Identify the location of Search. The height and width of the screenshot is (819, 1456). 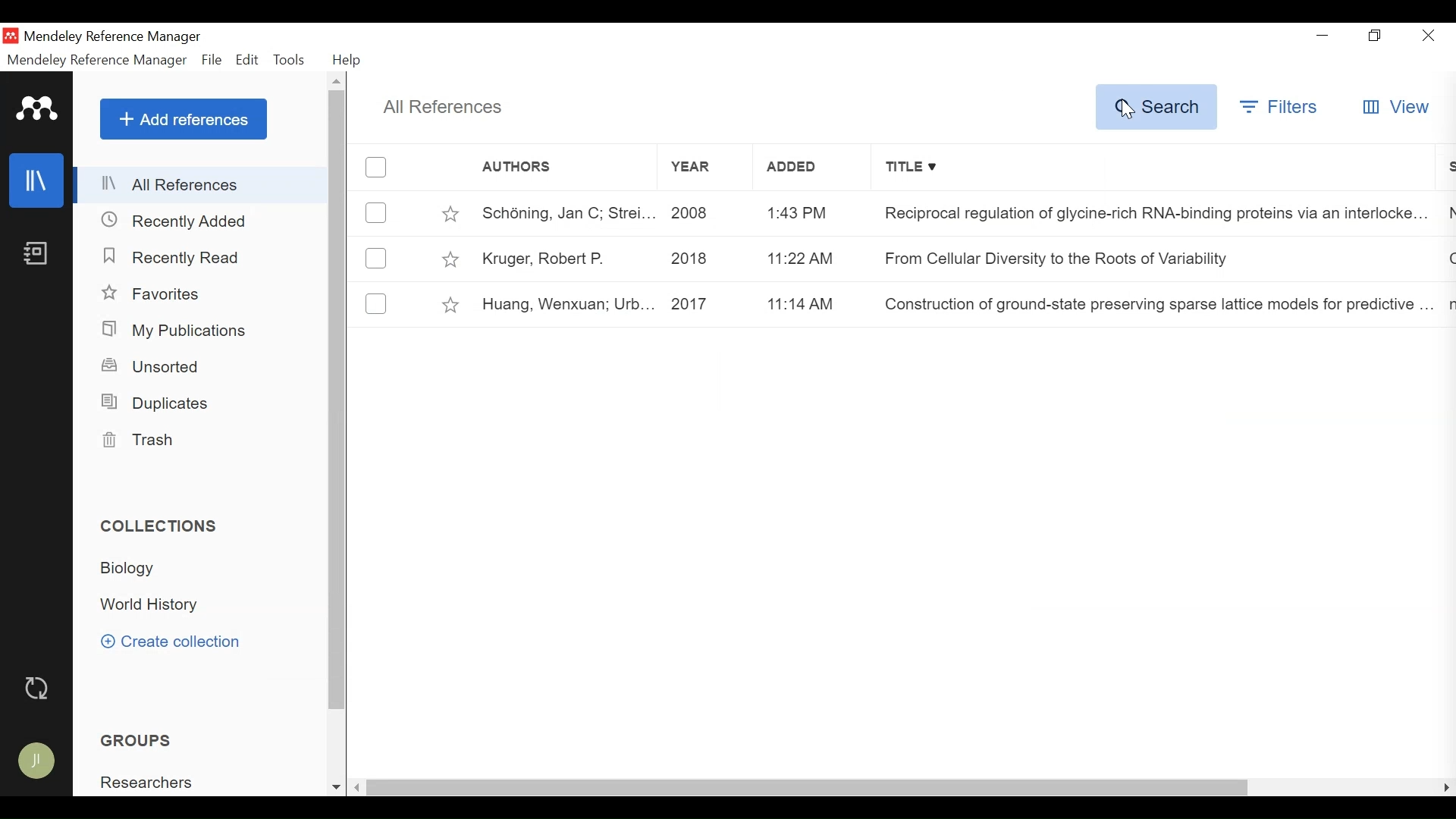
(1156, 108).